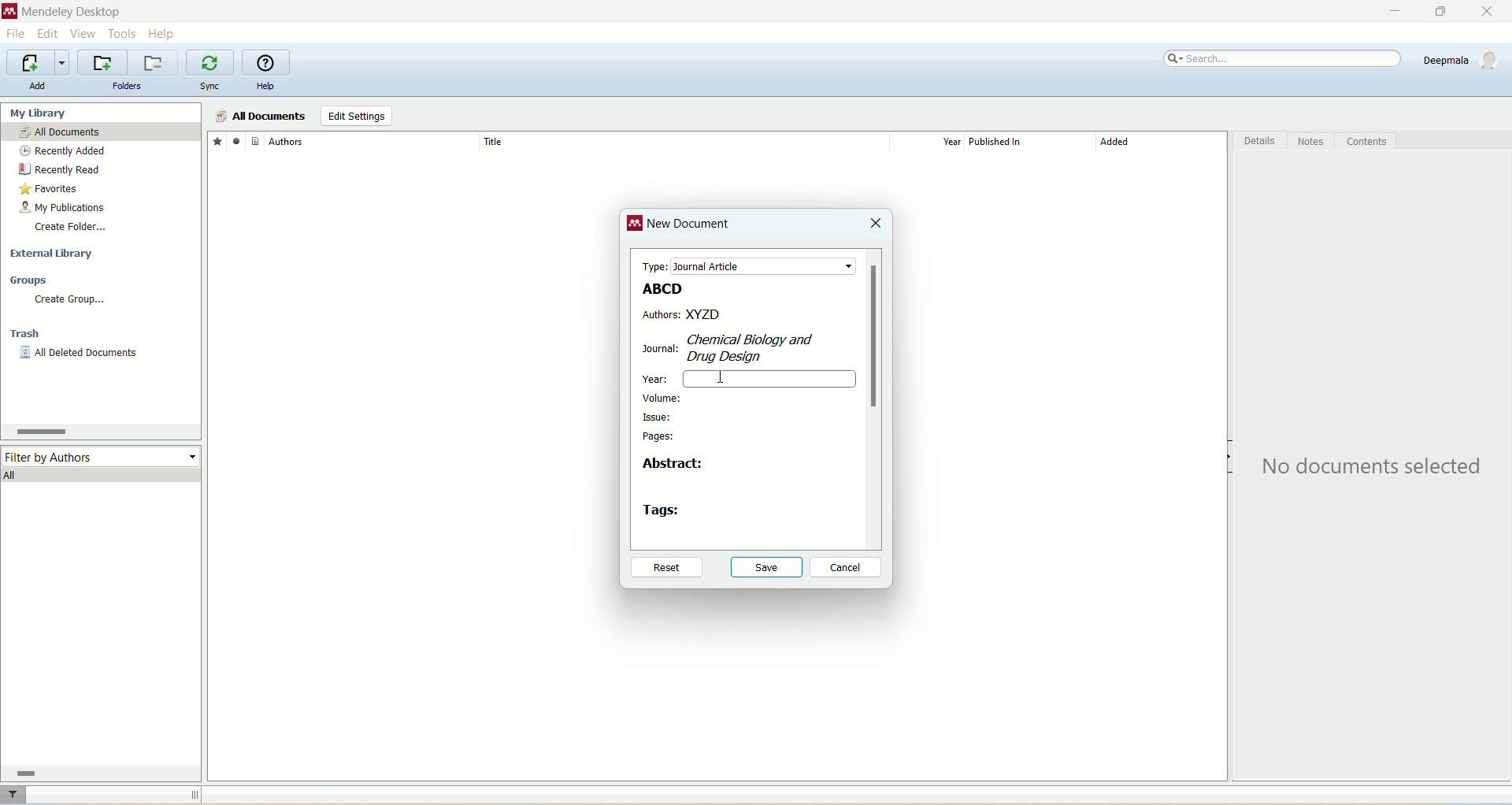 The height and width of the screenshot is (805, 1512). I want to click on title, so click(683, 141).